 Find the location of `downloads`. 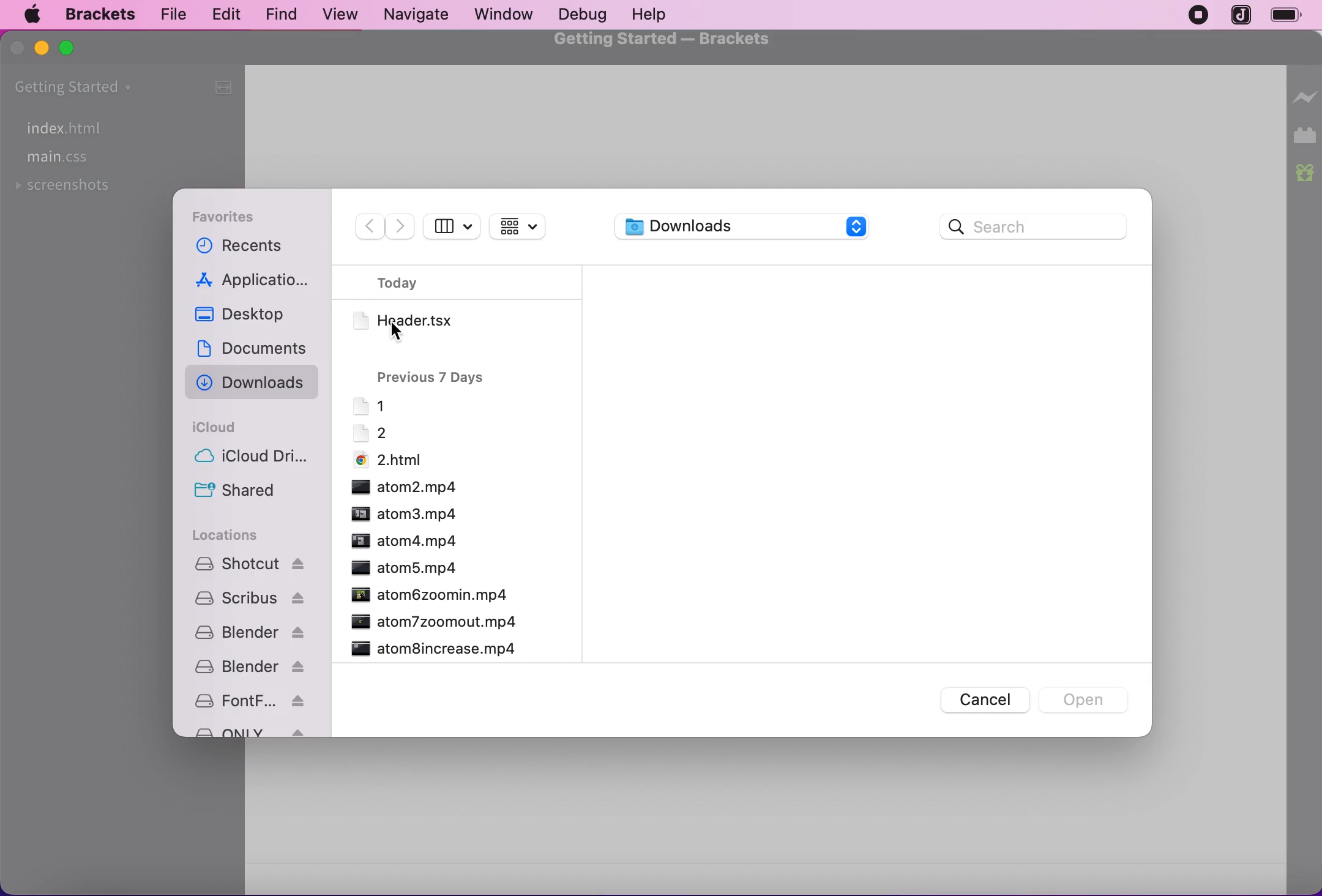

downloads is located at coordinates (255, 386).